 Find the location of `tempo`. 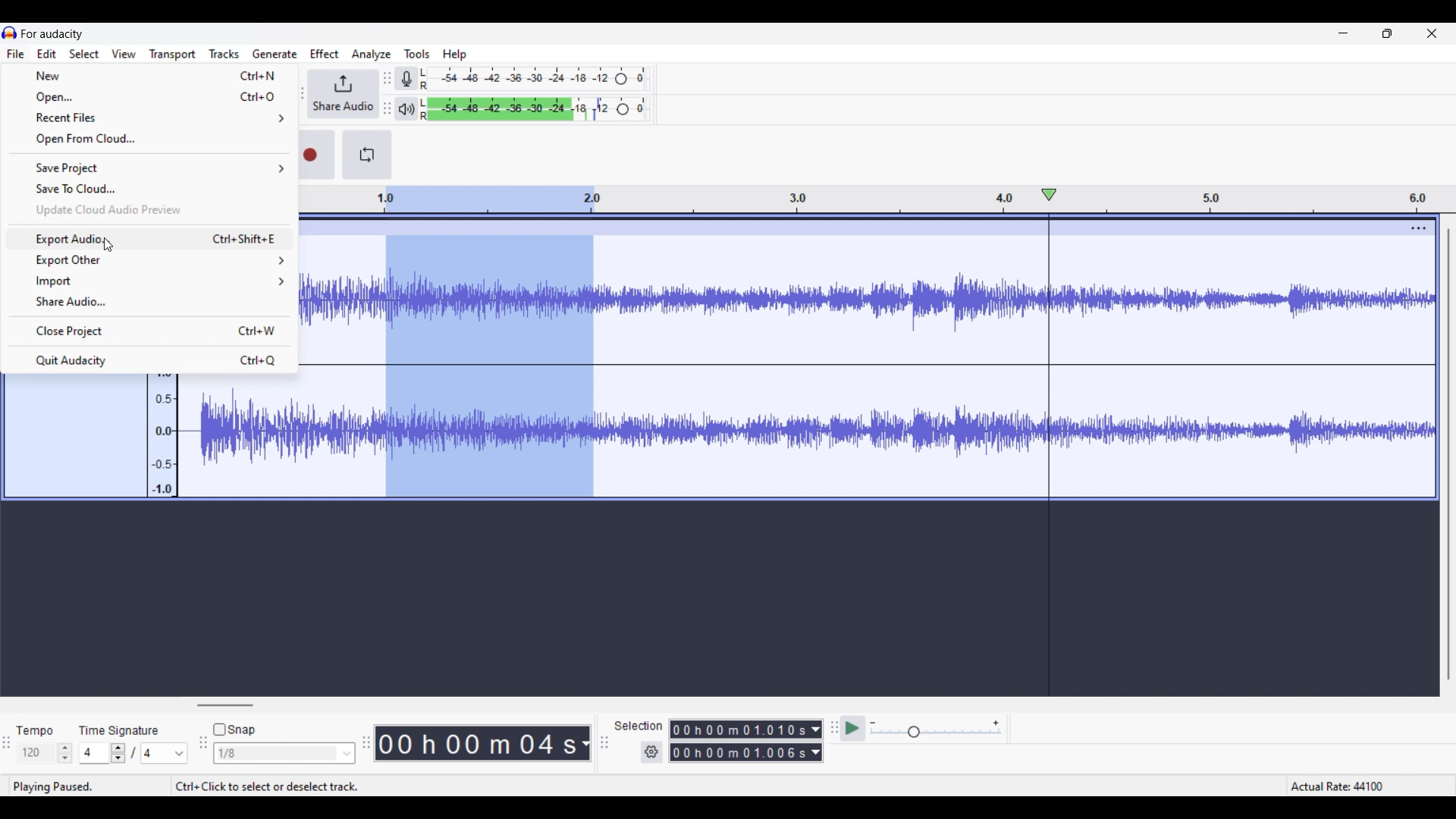

tempo is located at coordinates (35, 731).